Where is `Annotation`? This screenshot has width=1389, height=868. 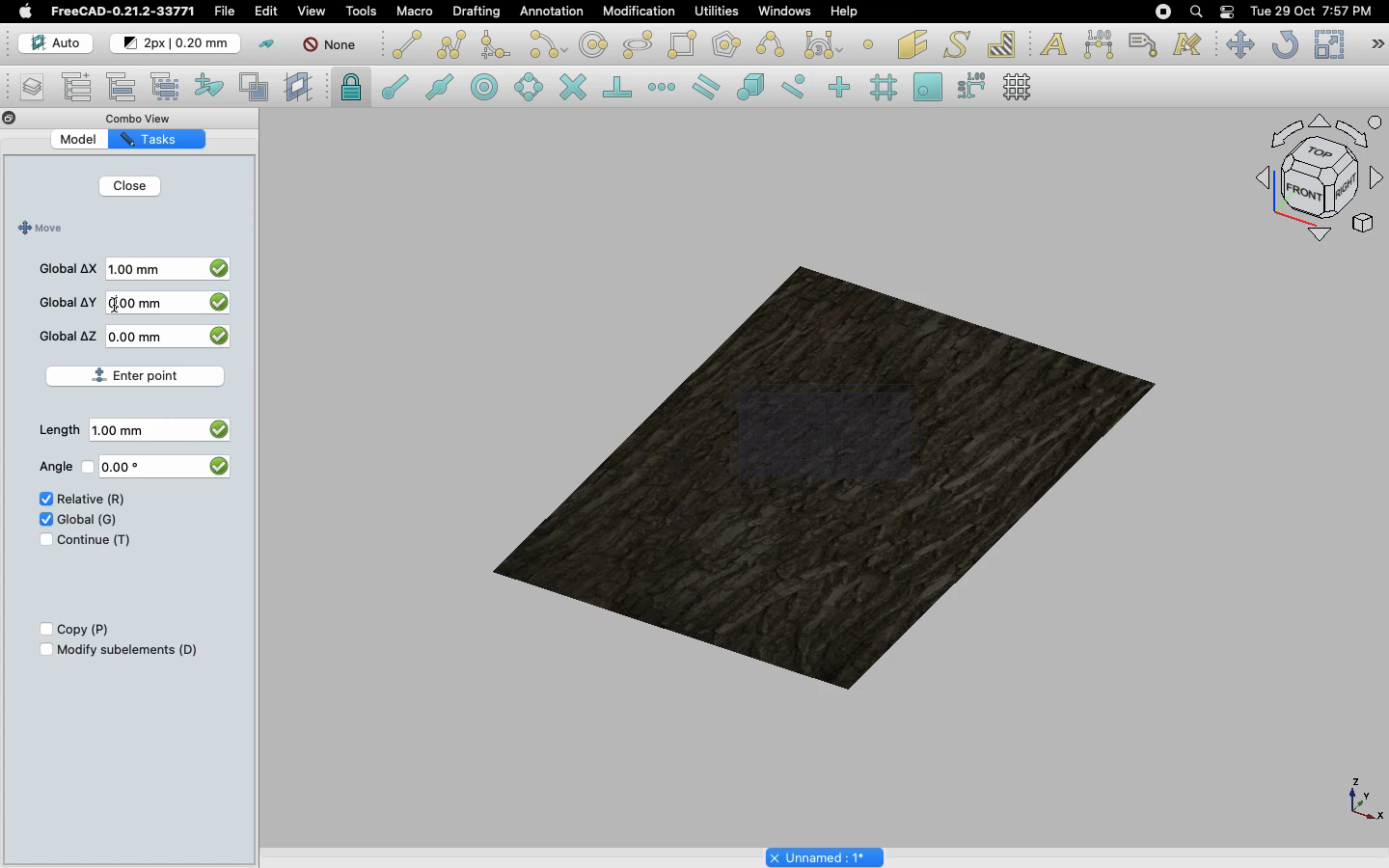
Annotation is located at coordinates (552, 11).